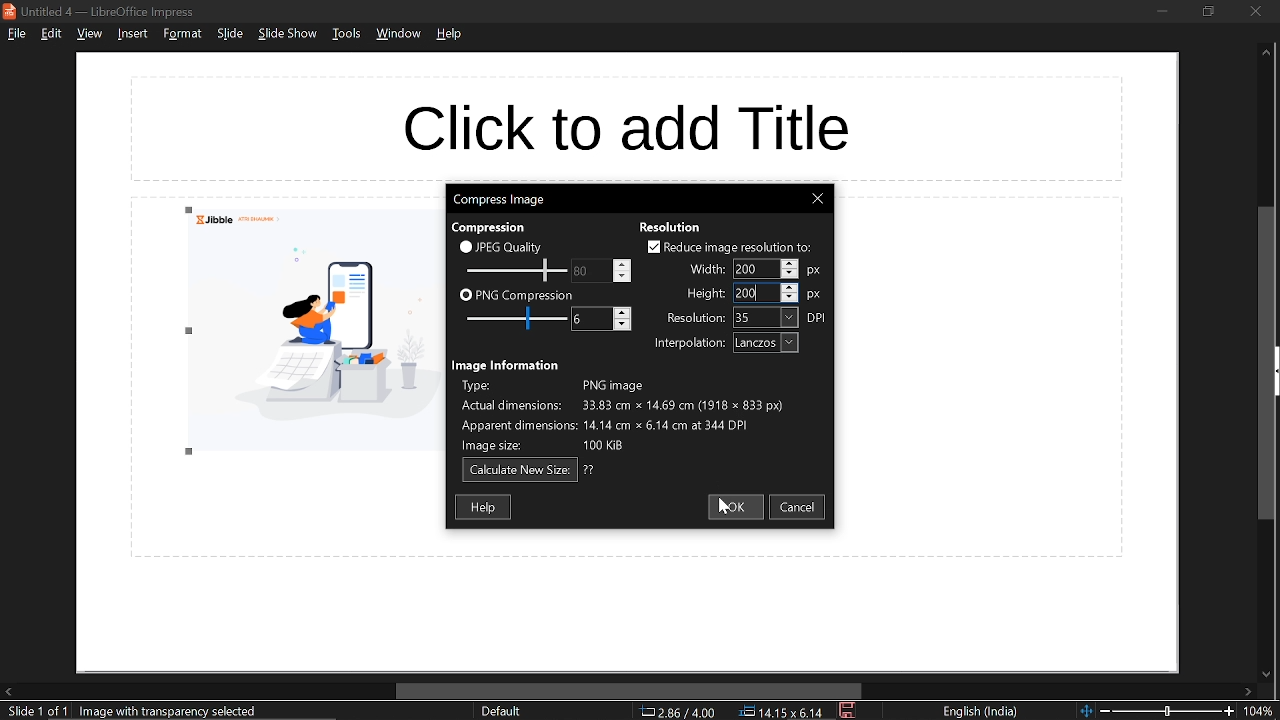 The height and width of the screenshot is (720, 1280). What do you see at coordinates (699, 293) in the screenshot?
I see `height` at bounding box center [699, 293].